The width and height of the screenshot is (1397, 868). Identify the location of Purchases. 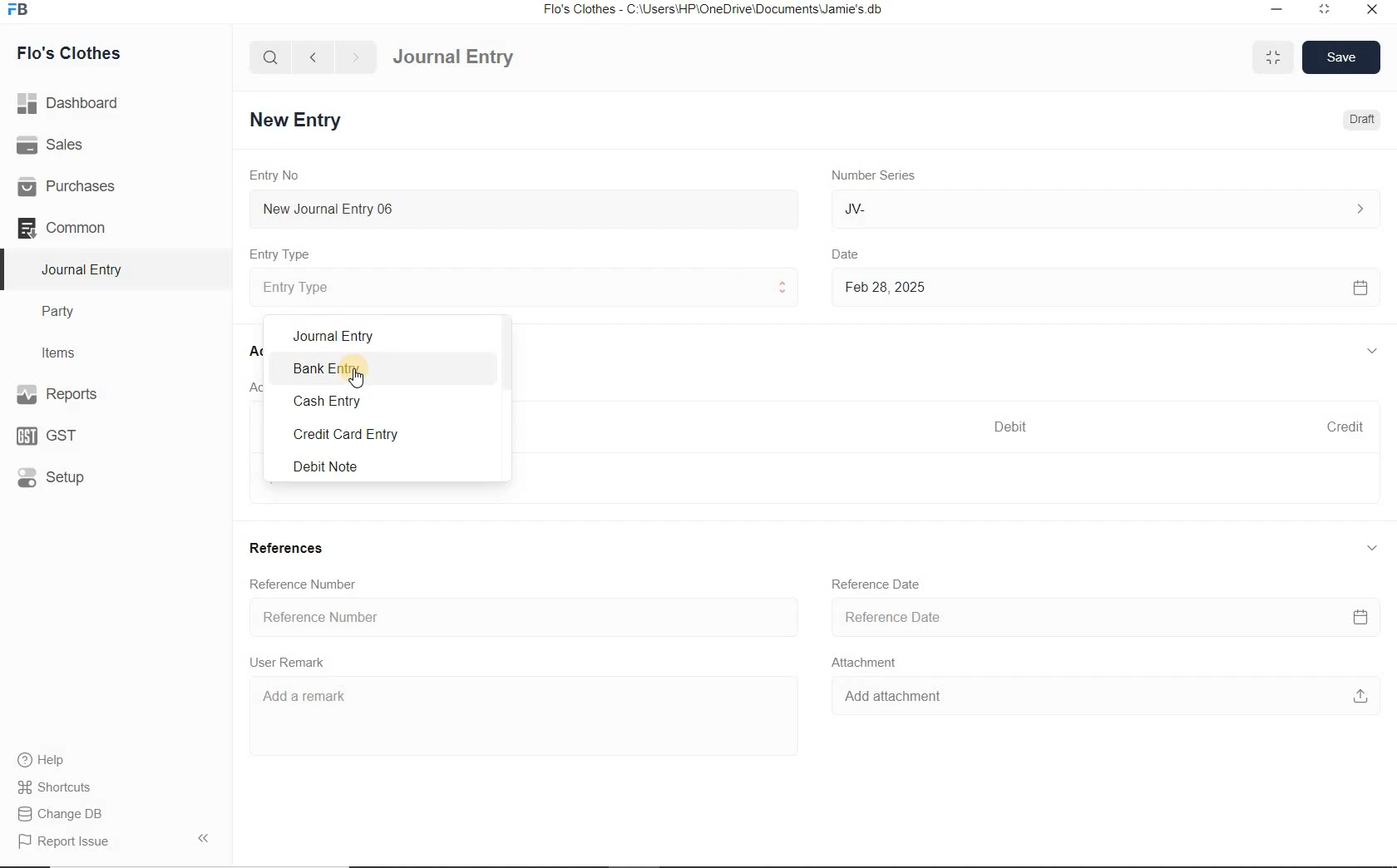
(74, 185).